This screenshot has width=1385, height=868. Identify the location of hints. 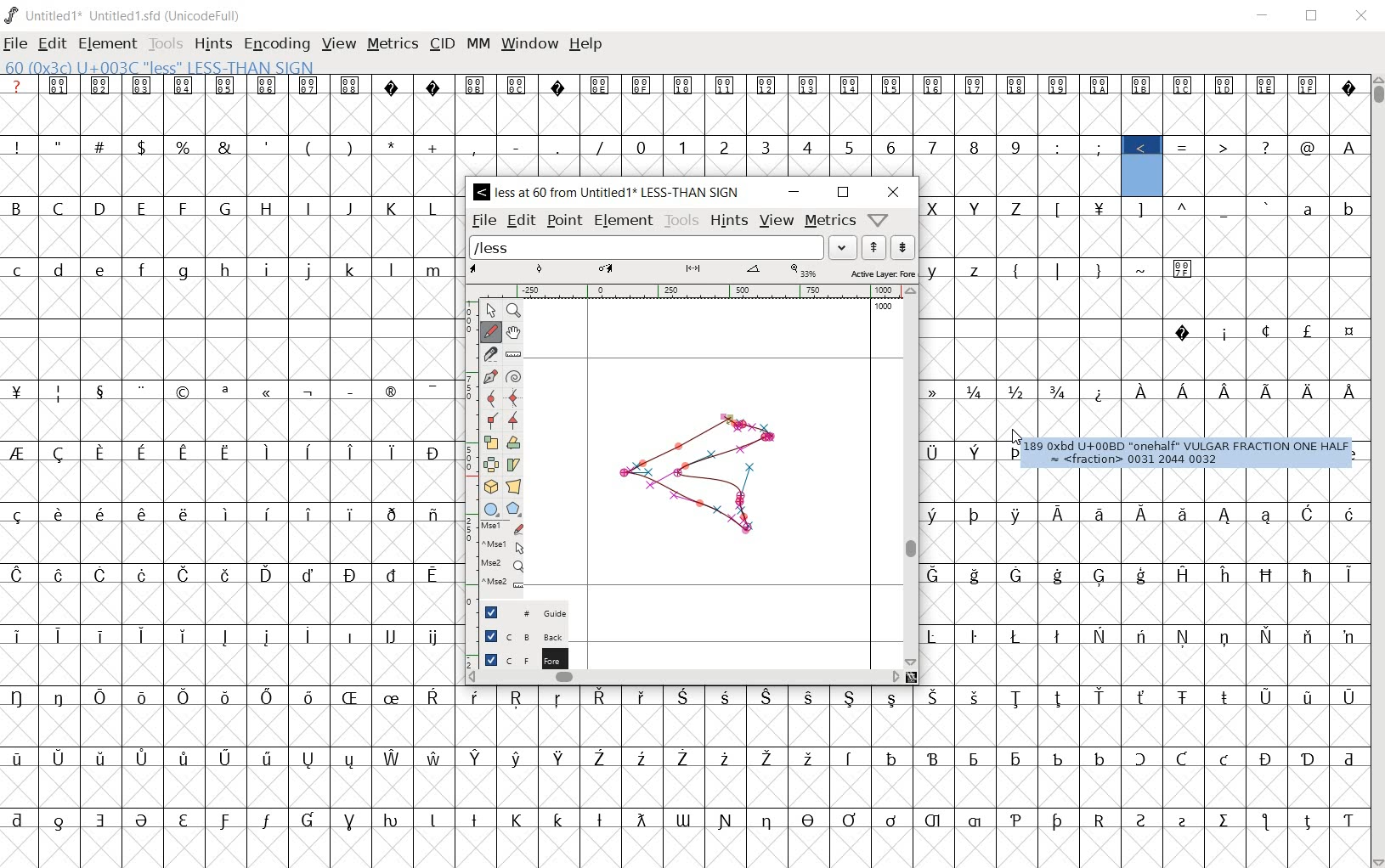
(212, 45).